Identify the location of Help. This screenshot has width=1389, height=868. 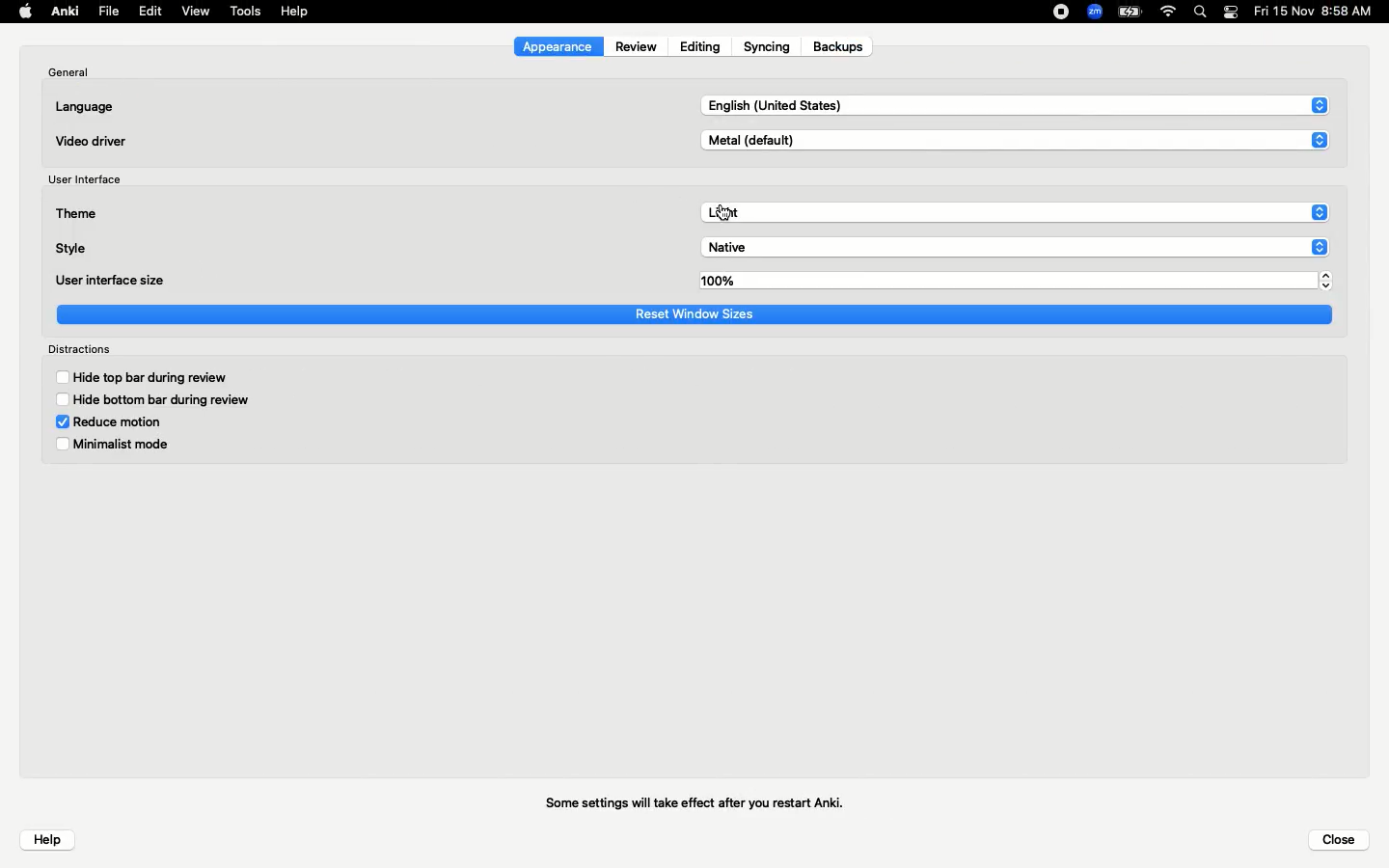
(47, 839).